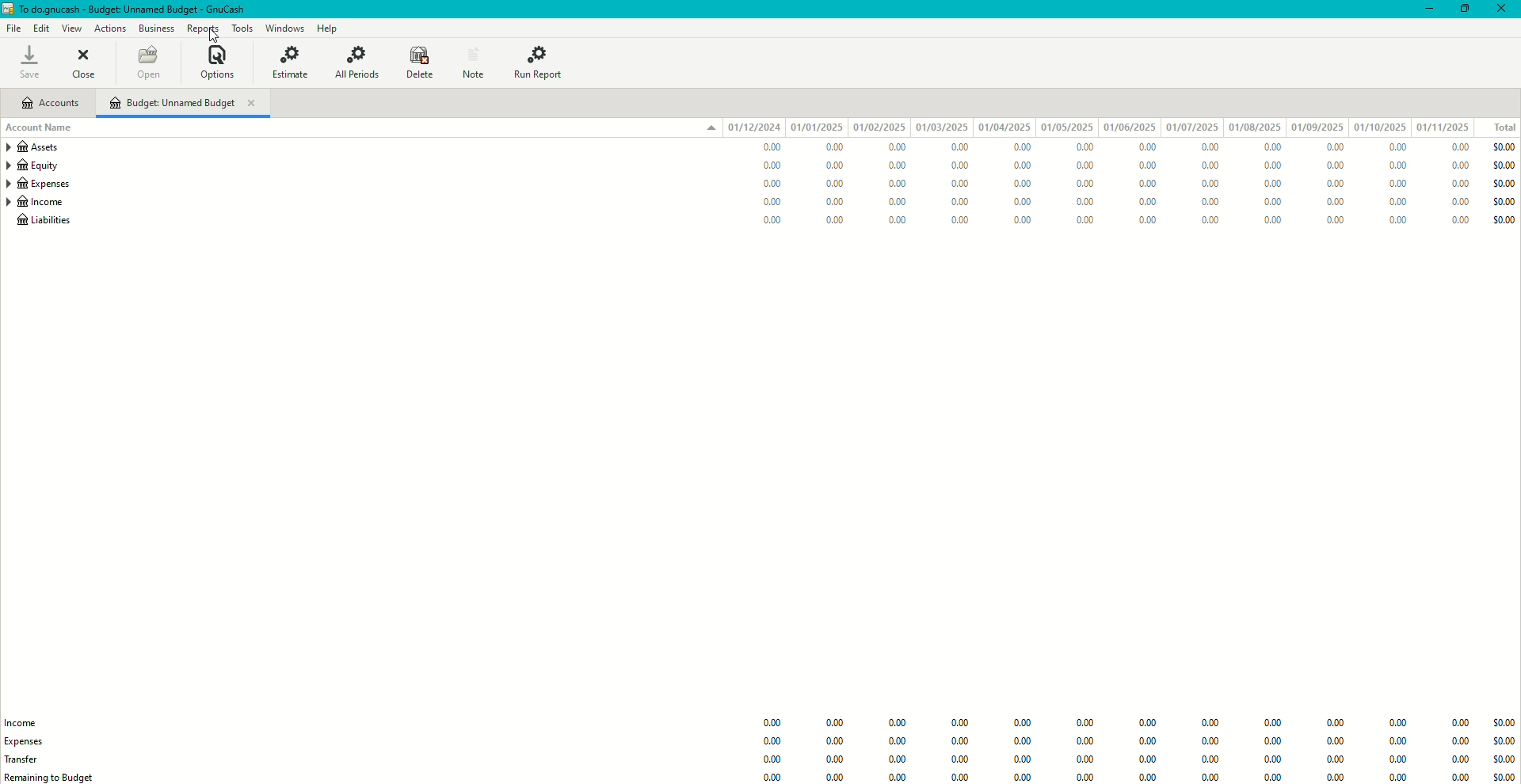  I want to click on 0.00, so click(773, 778).